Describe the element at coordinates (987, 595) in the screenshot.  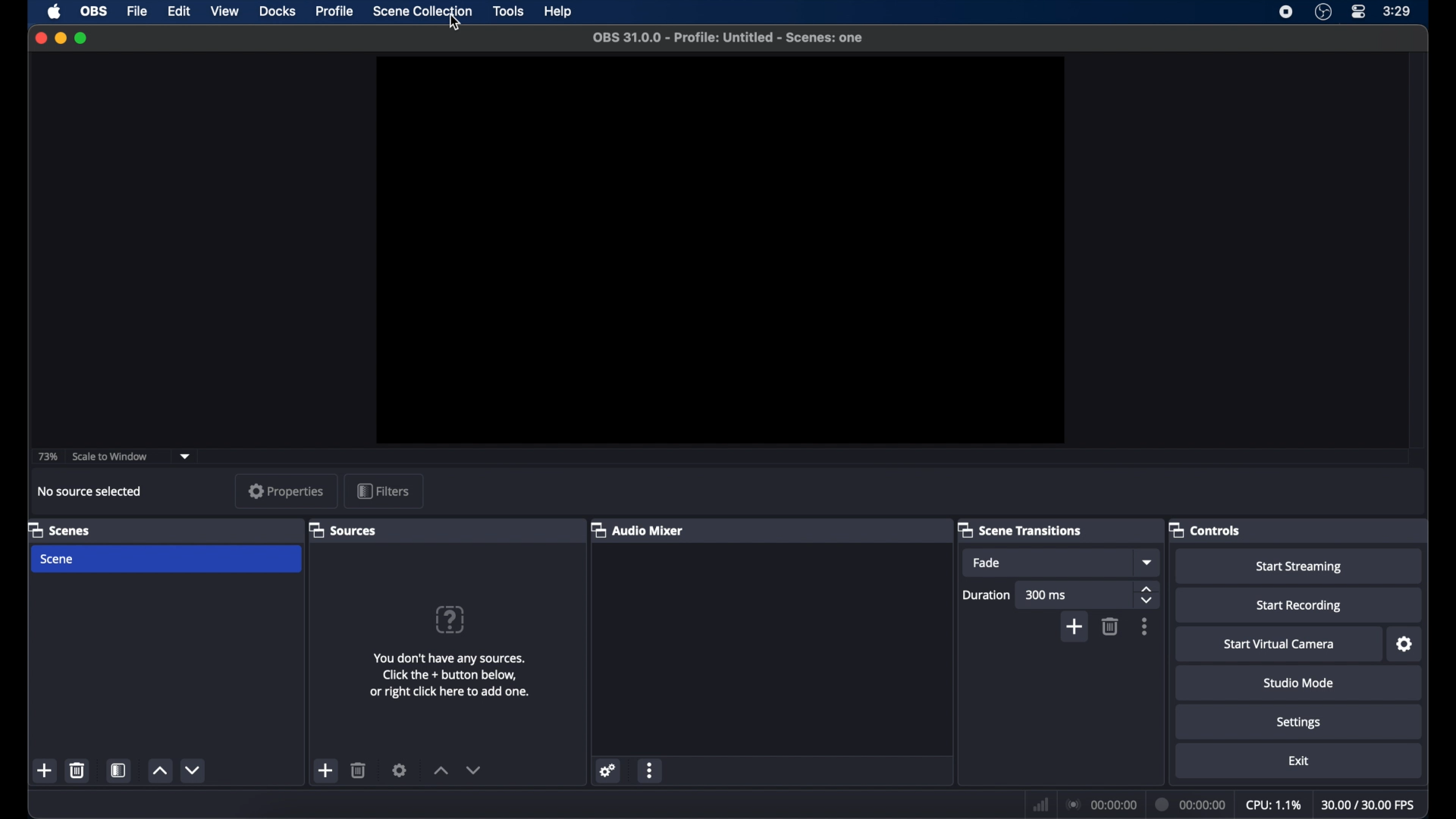
I see `duration` at that location.